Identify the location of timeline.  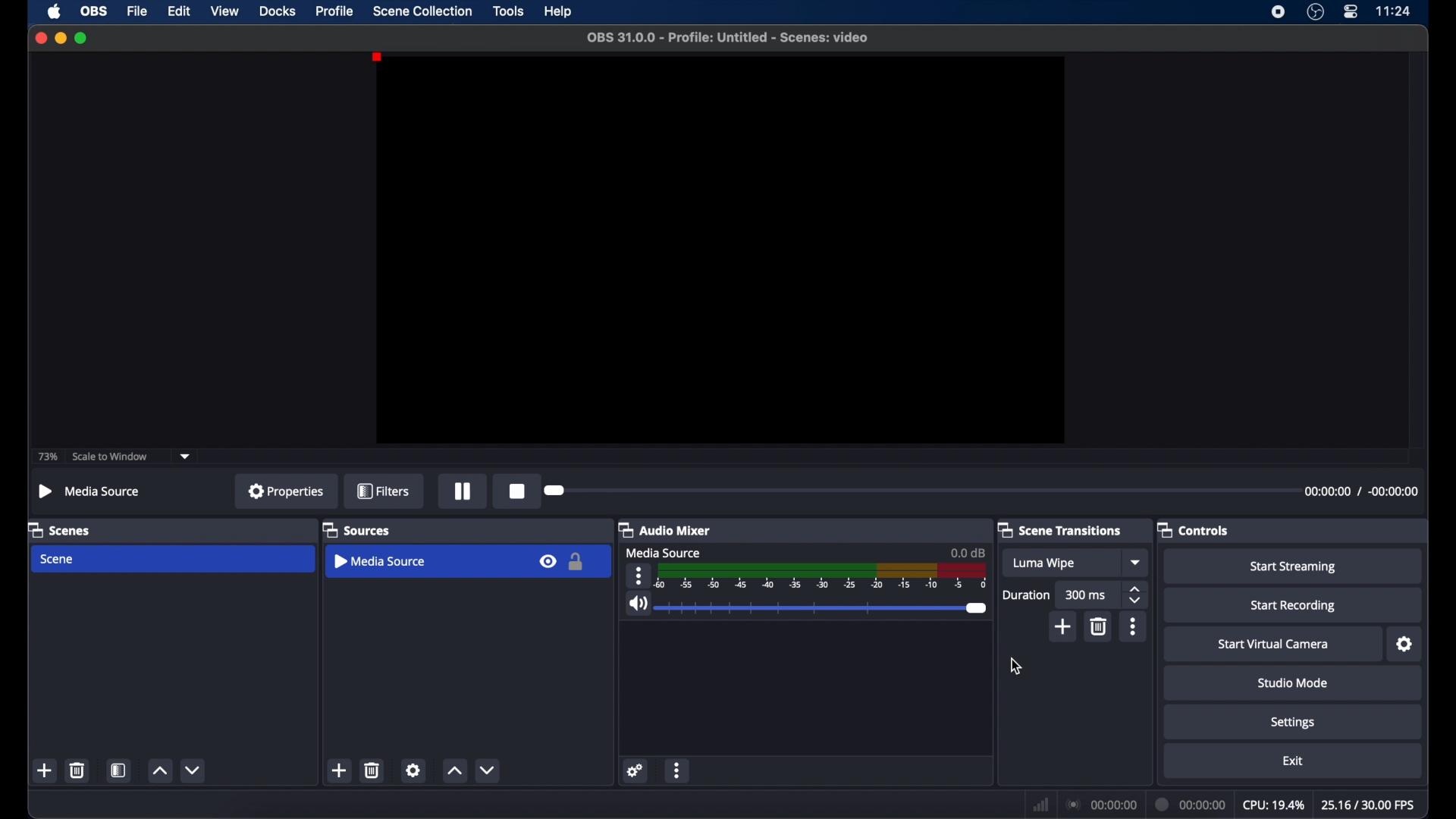
(822, 576).